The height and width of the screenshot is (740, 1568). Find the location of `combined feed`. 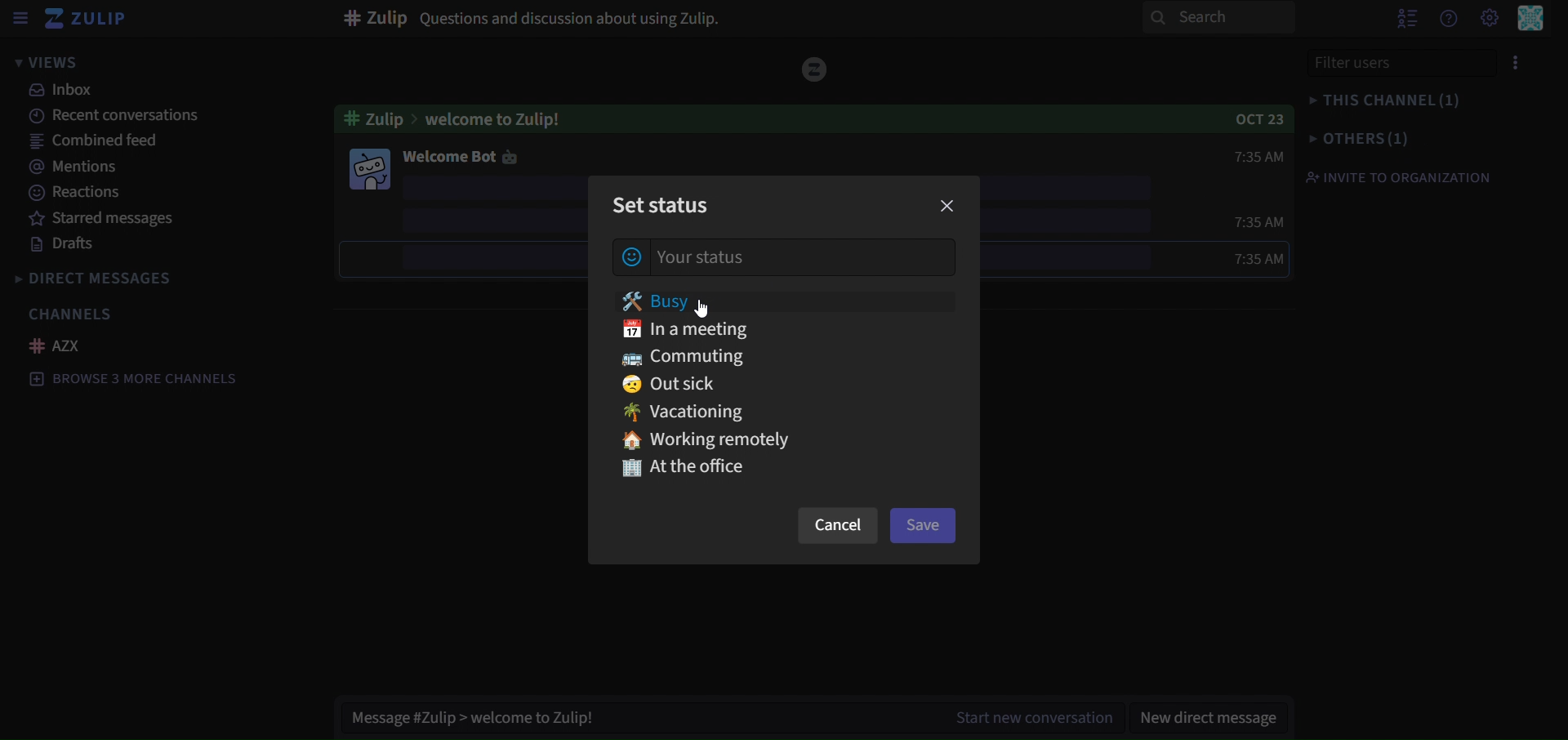

combined feed is located at coordinates (98, 143).